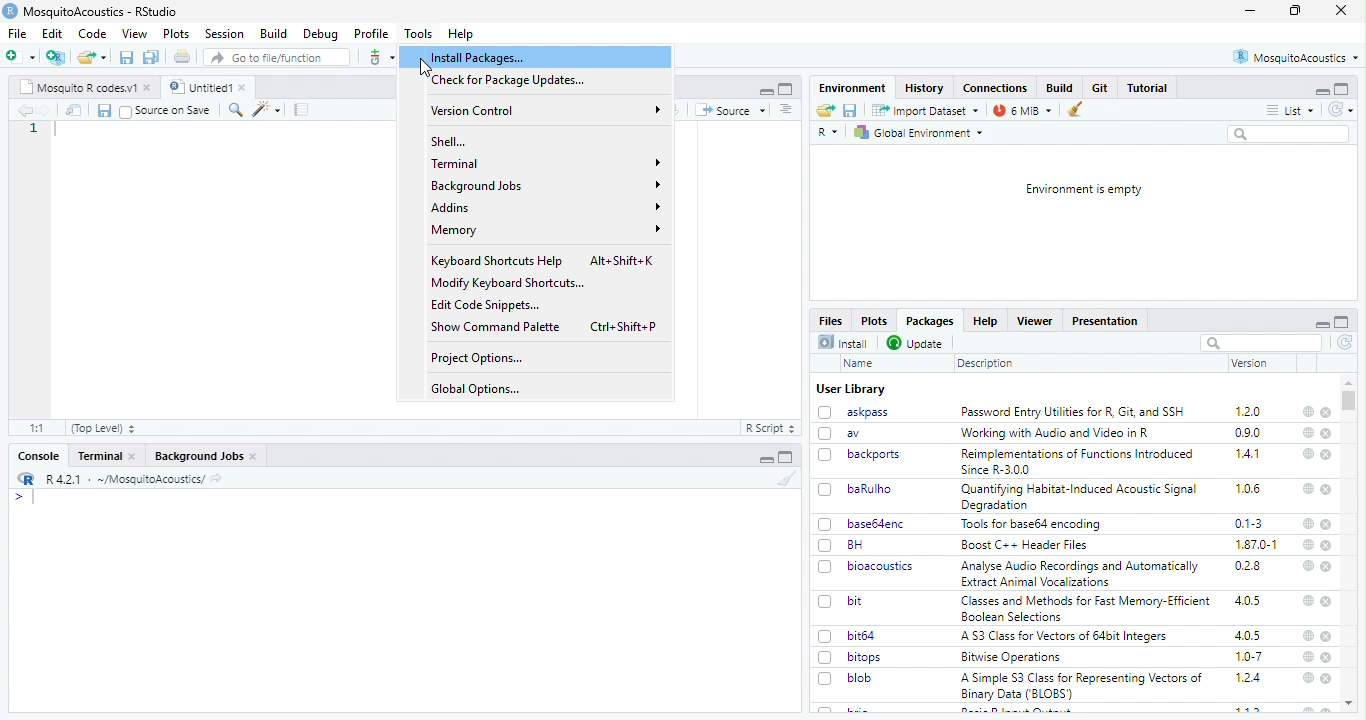 The image size is (1366, 720). Describe the element at coordinates (1291, 135) in the screenshot. I see `searchbox` at that location.